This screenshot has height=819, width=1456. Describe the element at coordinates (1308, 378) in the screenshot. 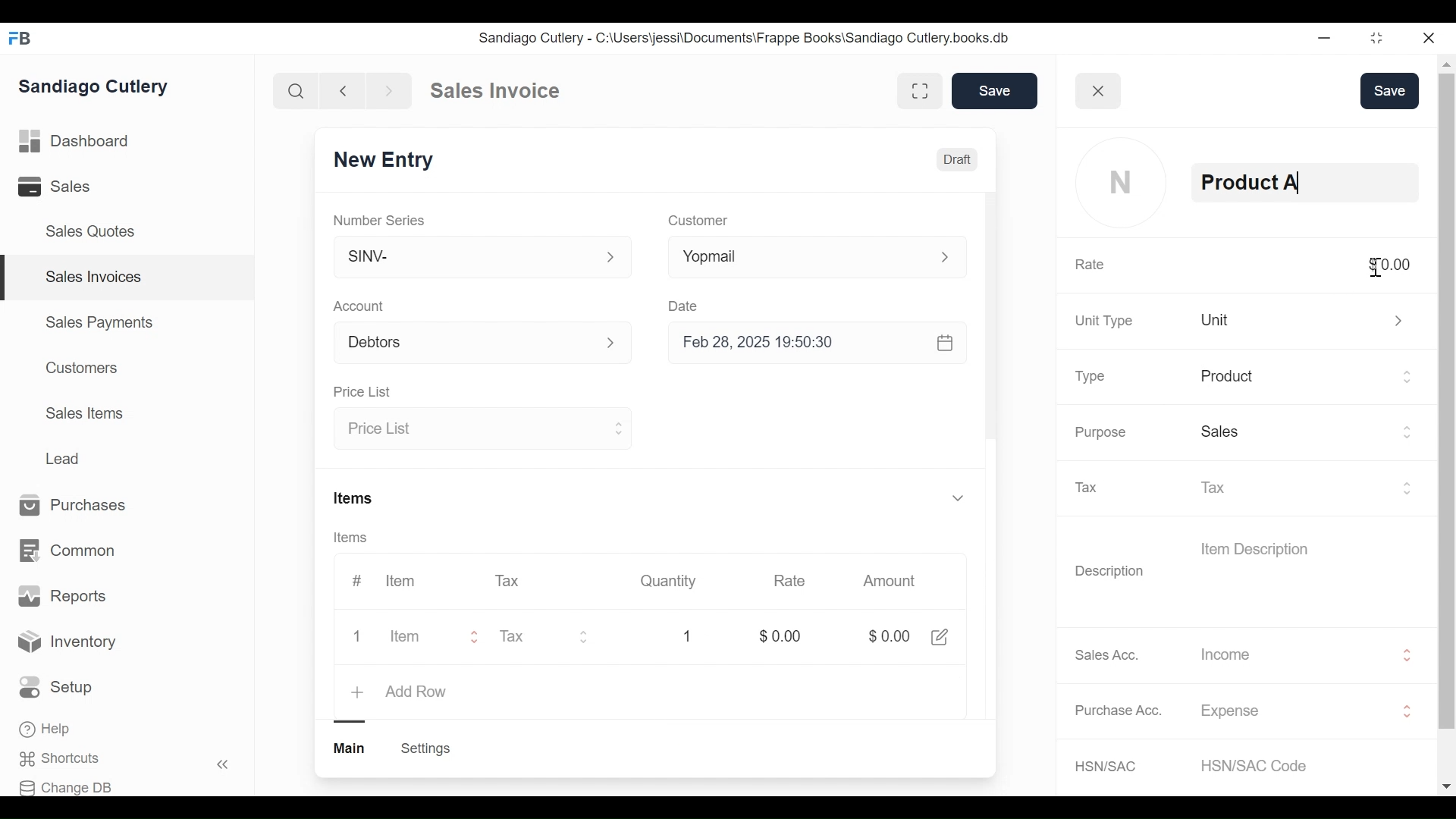

I see `Product` at that location.